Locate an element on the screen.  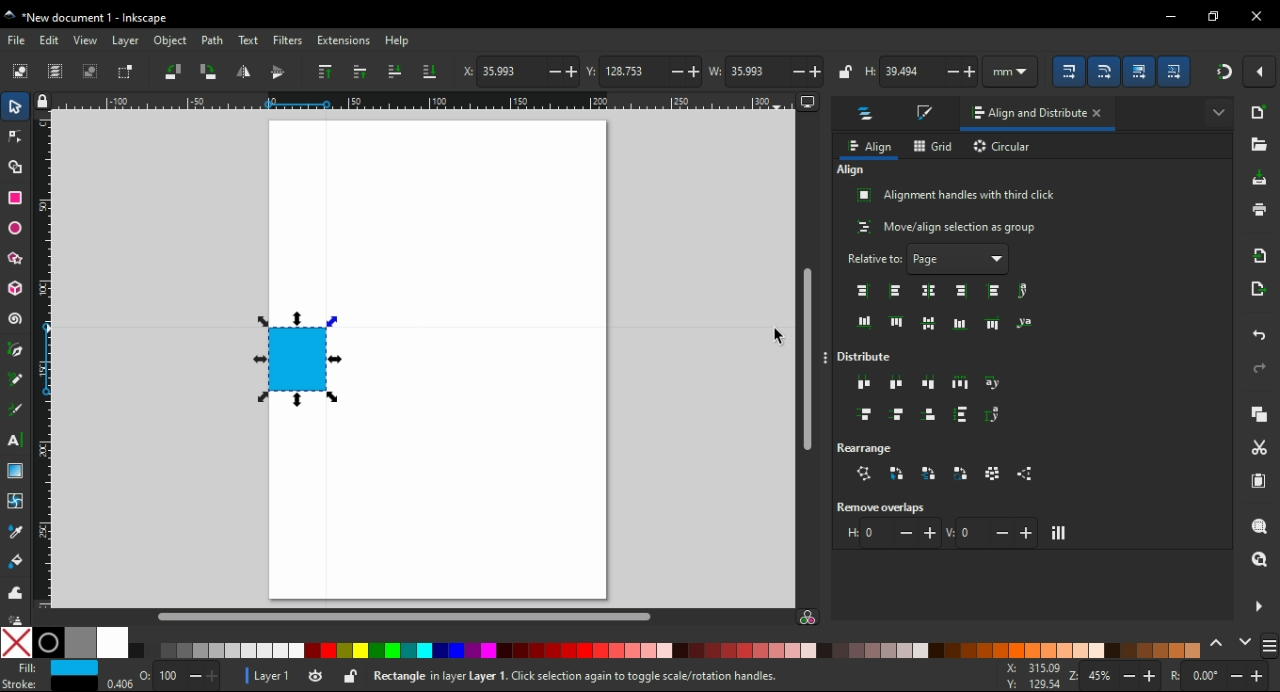
rotation is located at coordinates (1220, 676).